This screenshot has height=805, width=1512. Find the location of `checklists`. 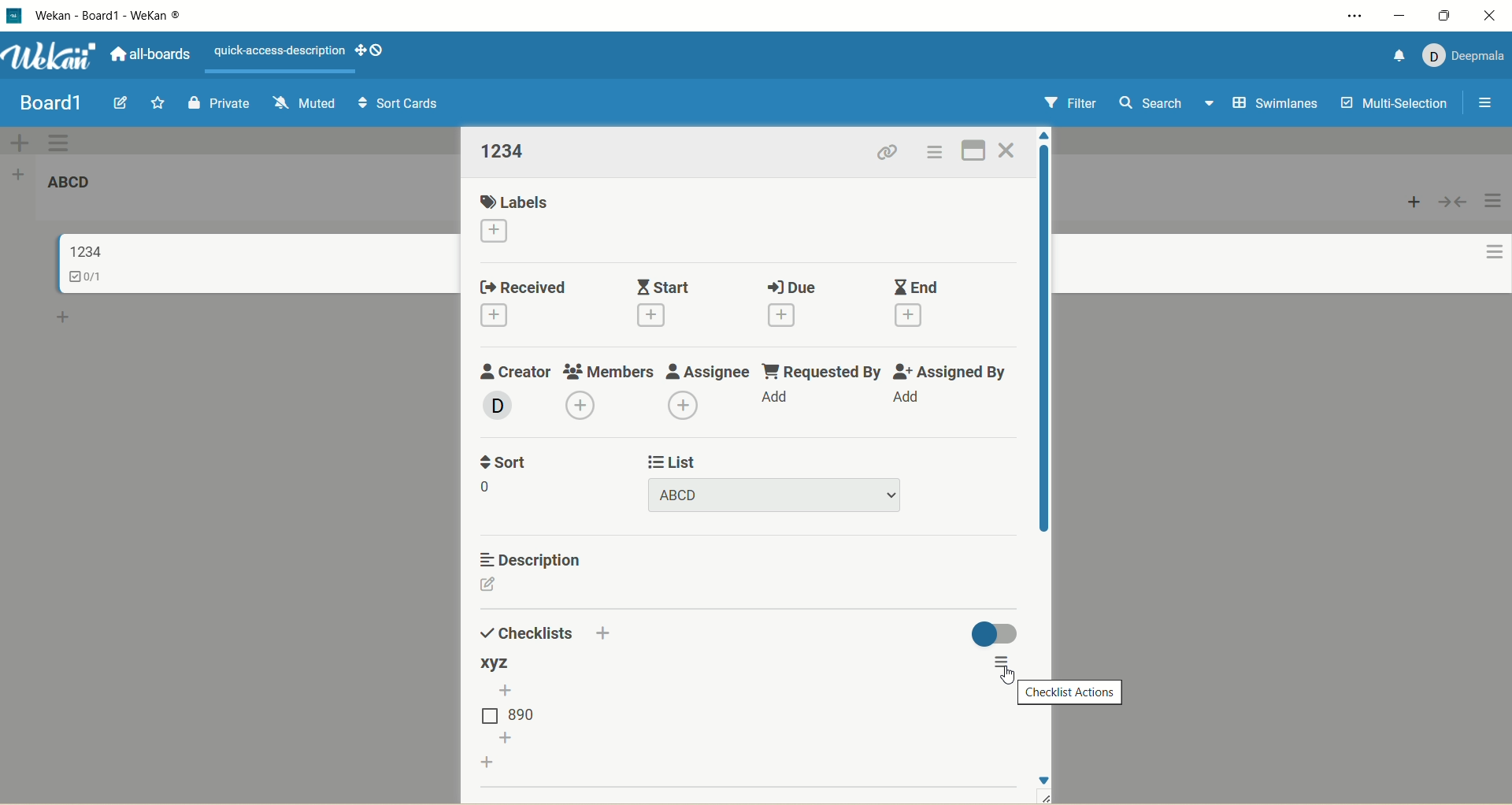

checklists is located at coordinates (527, 632).